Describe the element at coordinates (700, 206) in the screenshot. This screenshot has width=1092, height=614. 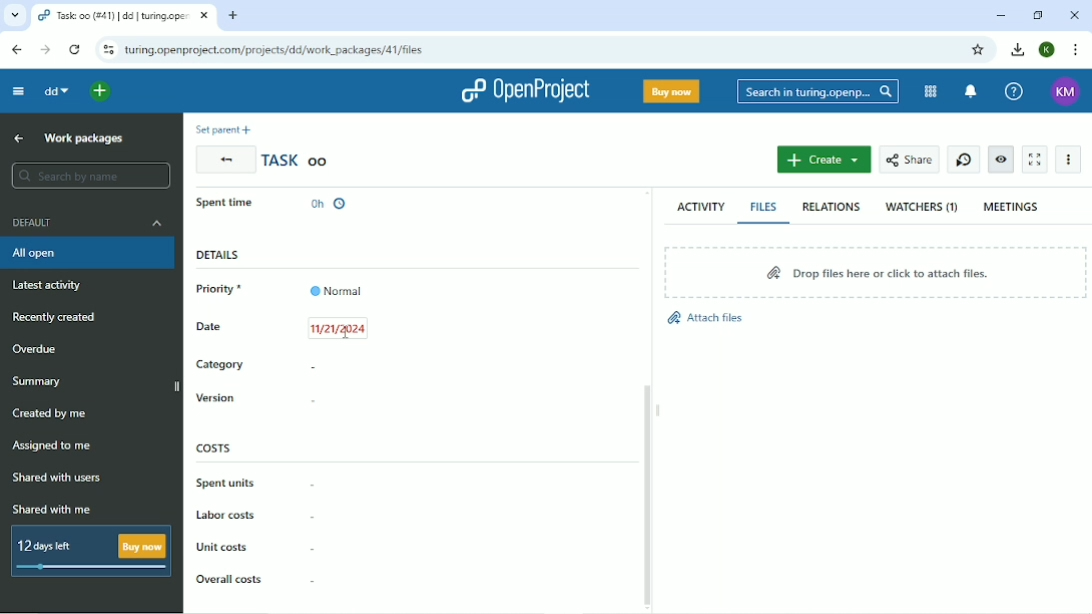
I see `Activity` at that location.